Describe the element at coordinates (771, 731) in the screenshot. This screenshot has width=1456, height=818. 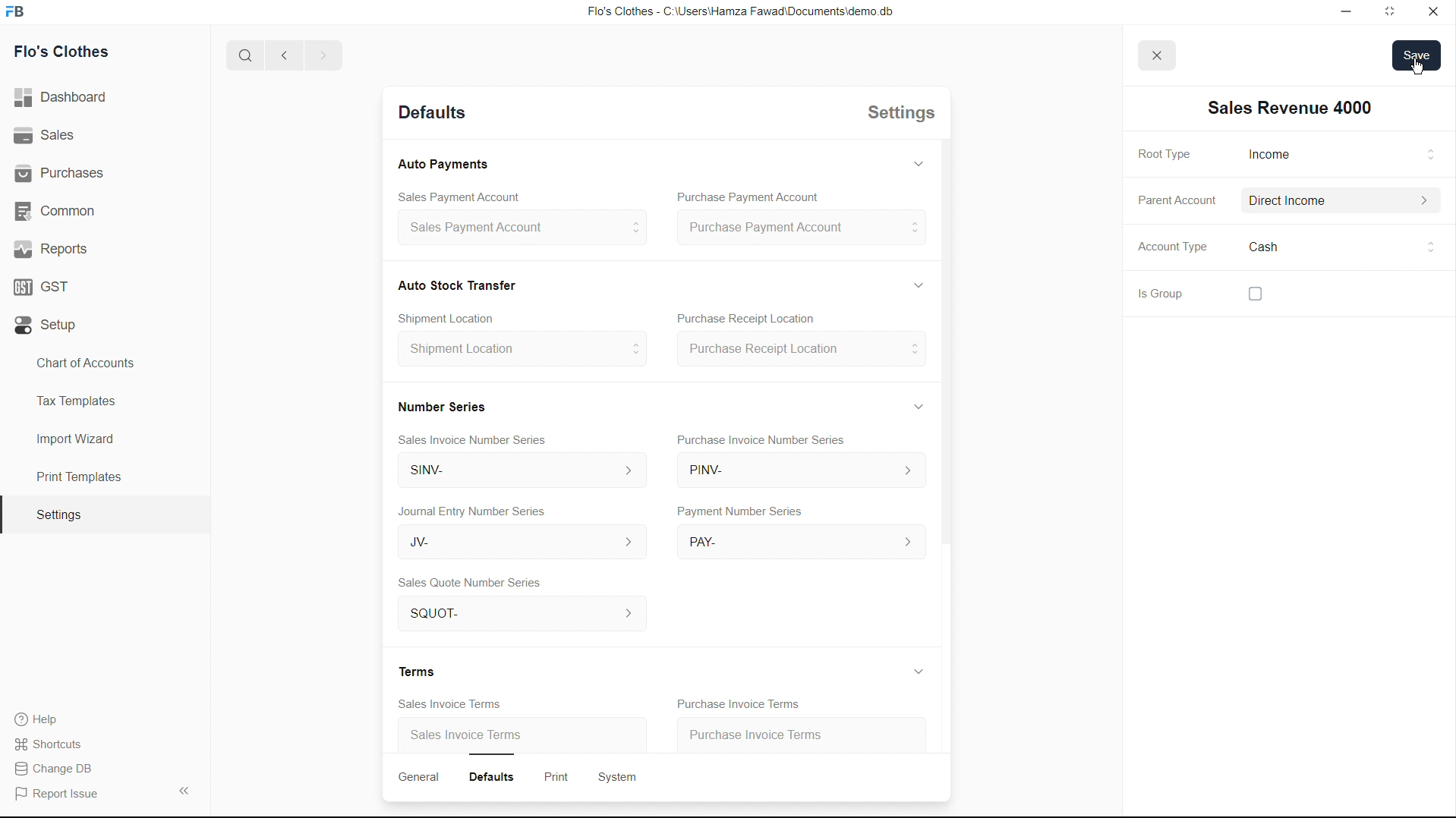
I see `Purchase Invoice Terms` at that location.